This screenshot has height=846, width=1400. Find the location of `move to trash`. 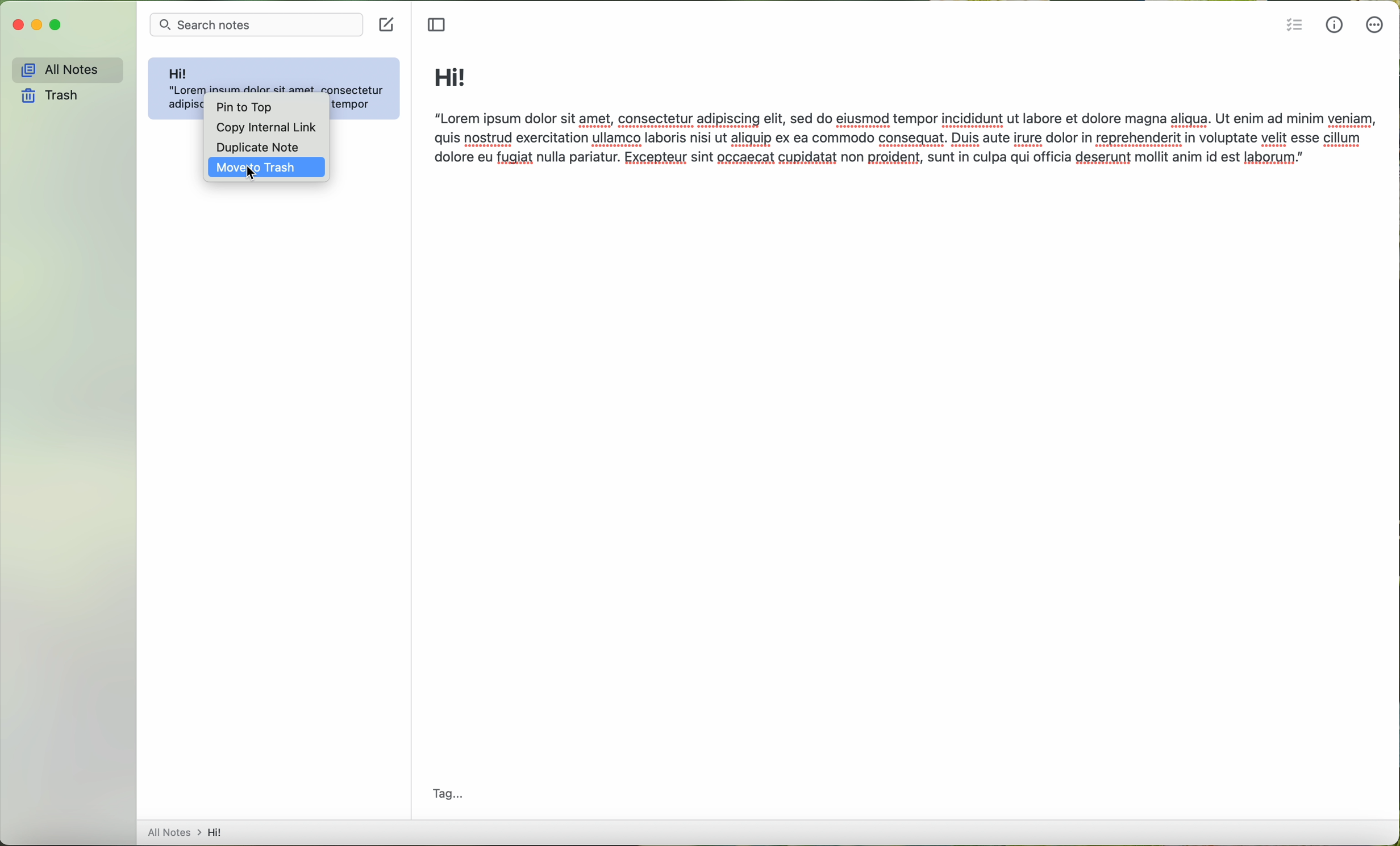

move to trash is located at coordinates (263, 169).